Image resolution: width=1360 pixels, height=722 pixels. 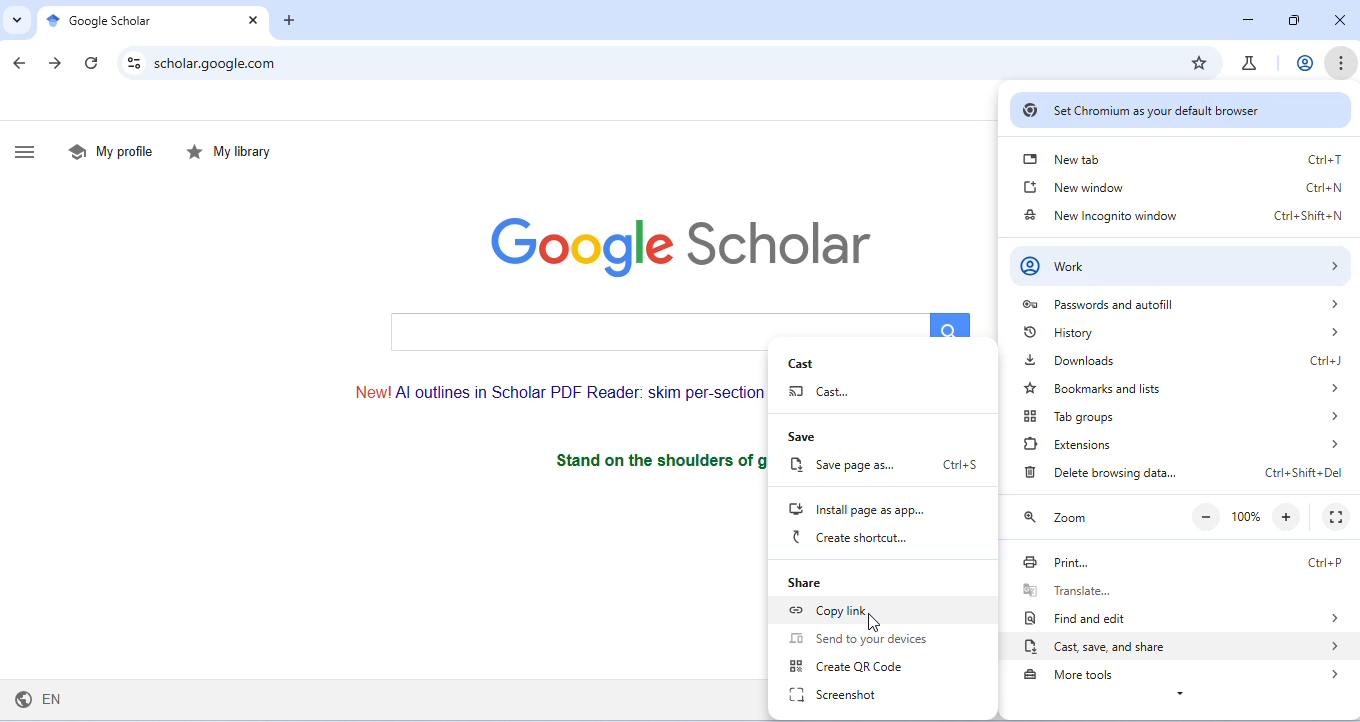 What do you see at coordinates (111, 150) in the screenshot?
I see `my profile` at bounding box center [111, 150].